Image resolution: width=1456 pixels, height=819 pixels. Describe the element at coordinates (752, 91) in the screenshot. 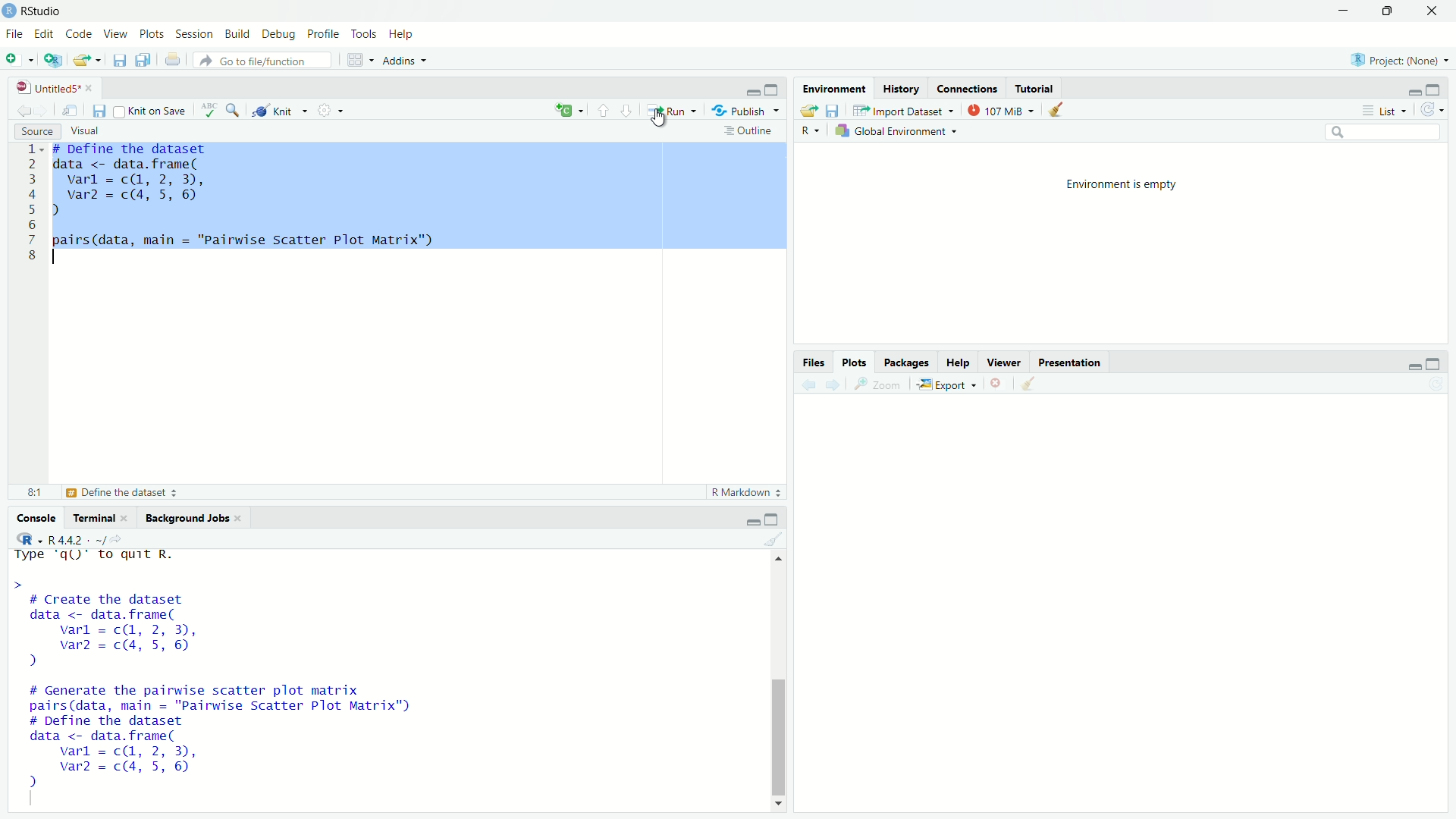

I see `Minimize` at that location.